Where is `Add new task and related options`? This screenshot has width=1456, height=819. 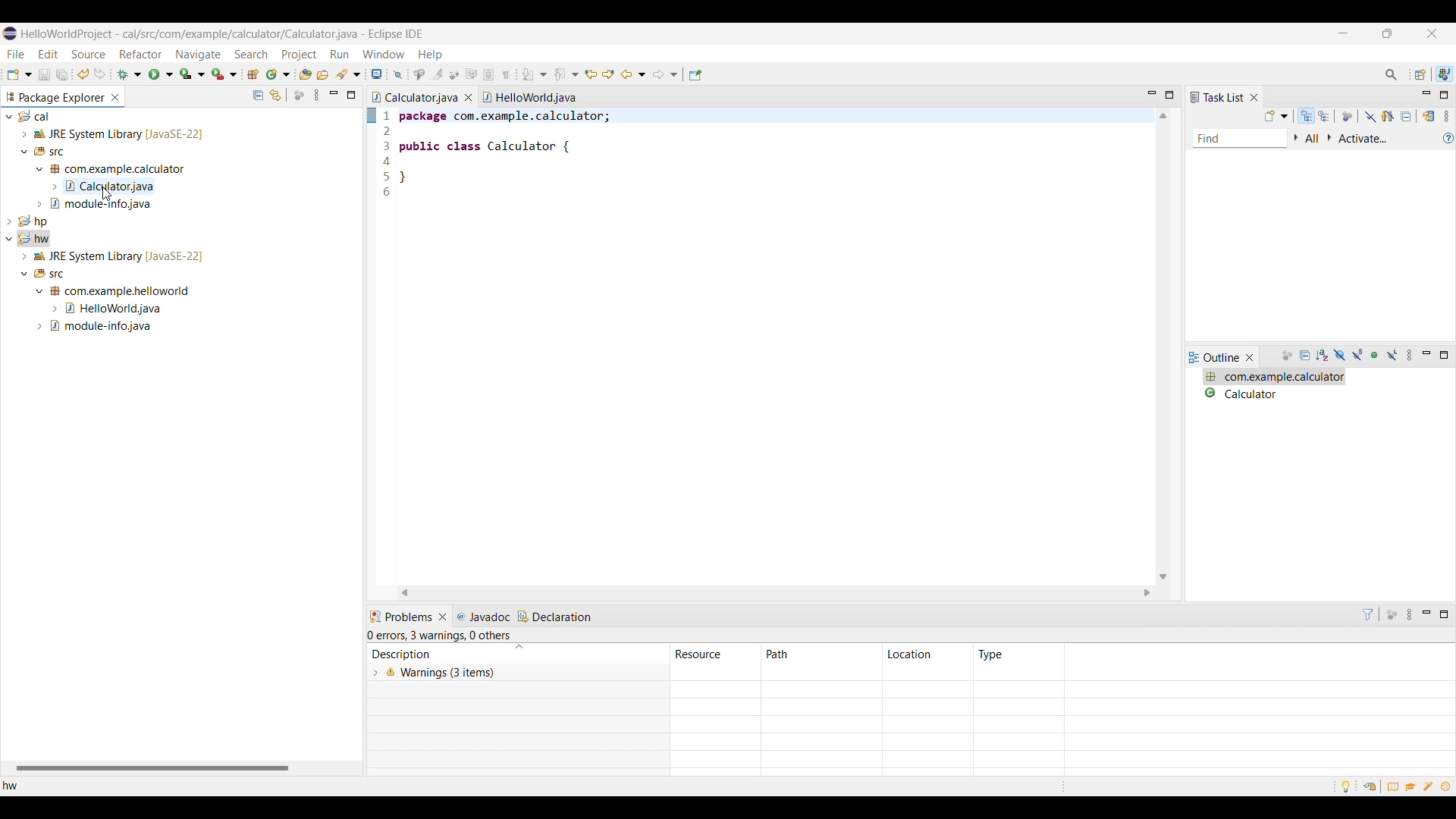 Add new task and related options is located at coordinates (1277, 116).